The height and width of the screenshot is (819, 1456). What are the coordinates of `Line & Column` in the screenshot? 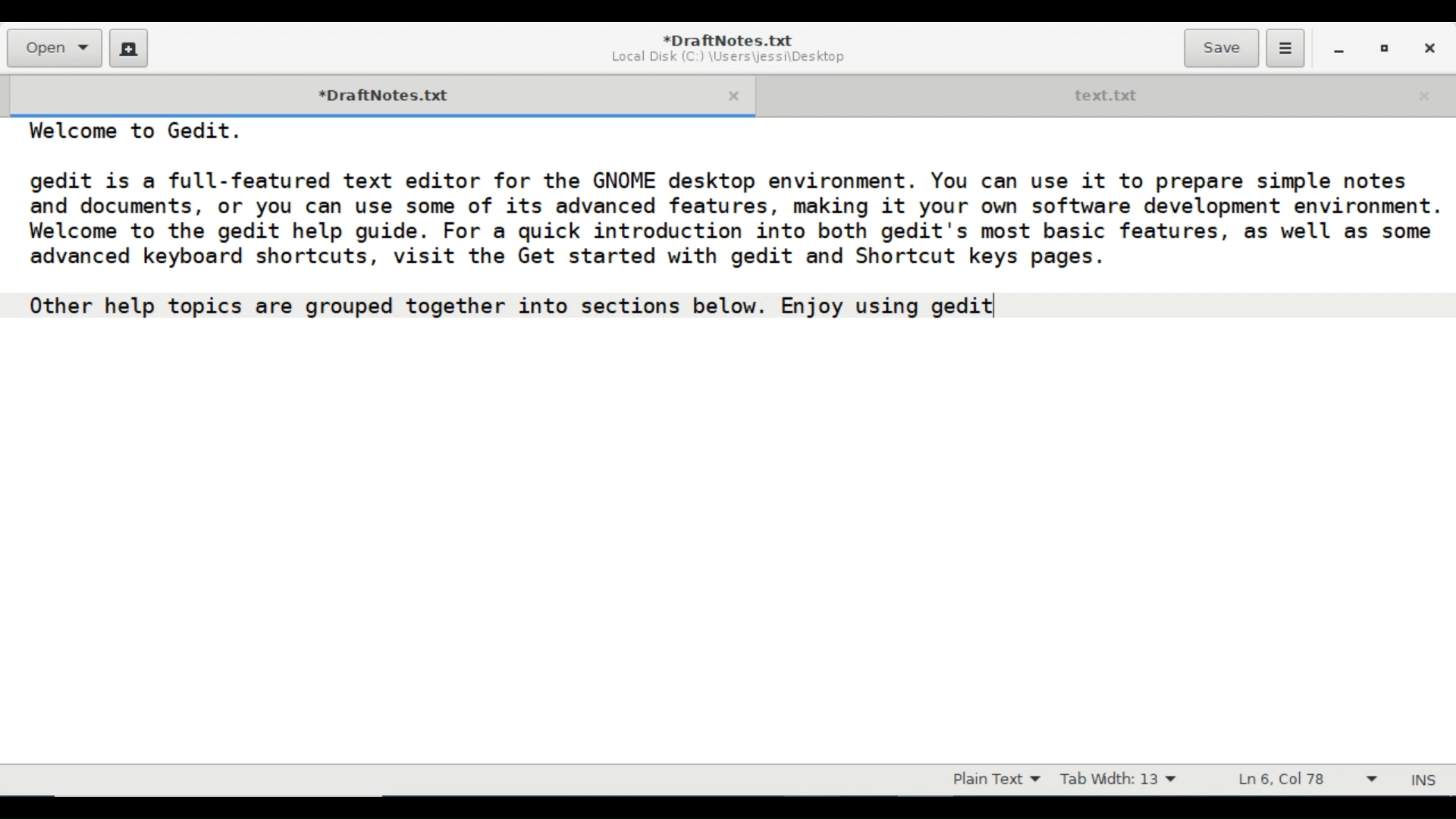 It's located at (1307, 780).